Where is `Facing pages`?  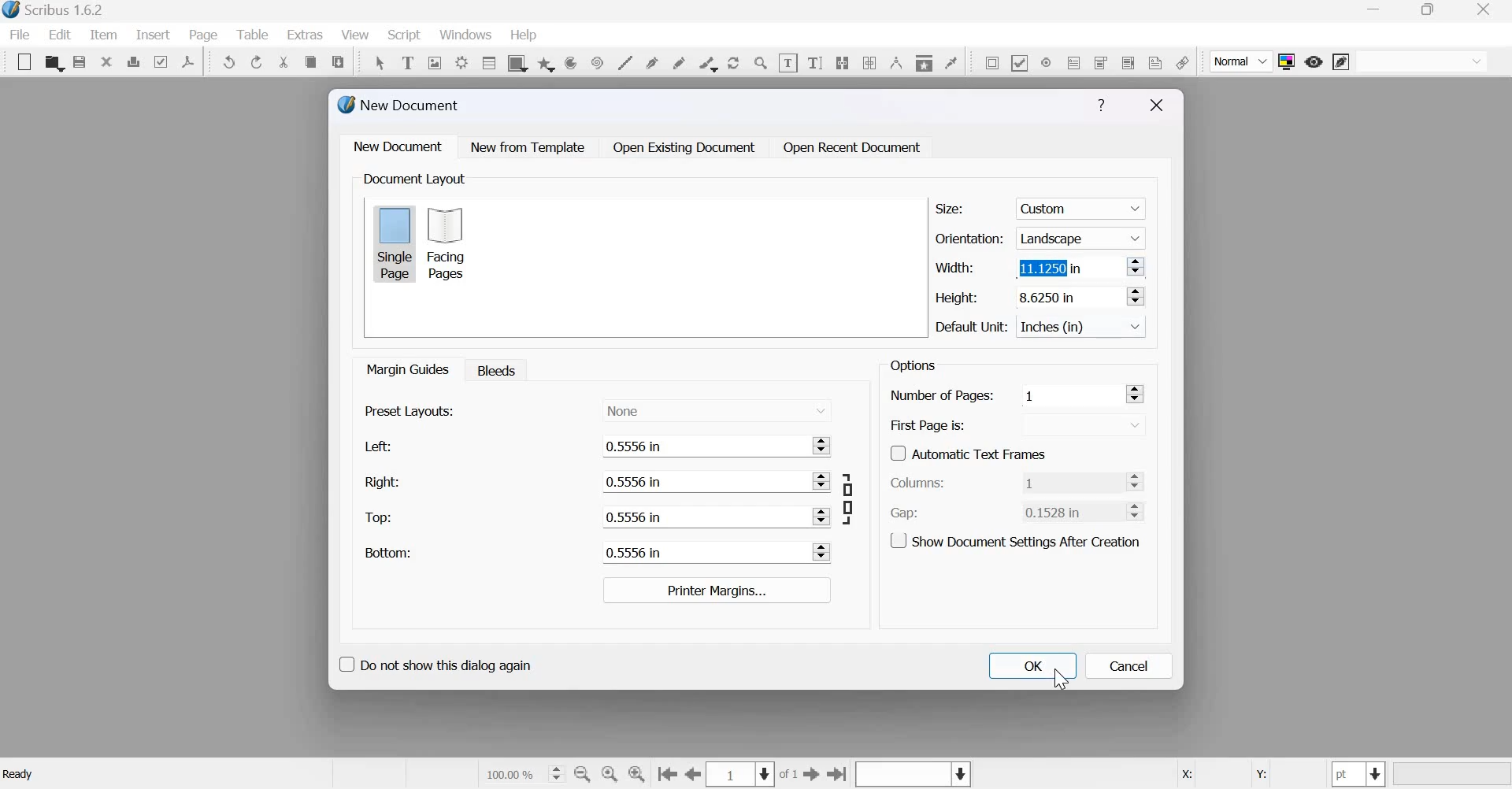 Facing pages is located at coordinates (450, 243).